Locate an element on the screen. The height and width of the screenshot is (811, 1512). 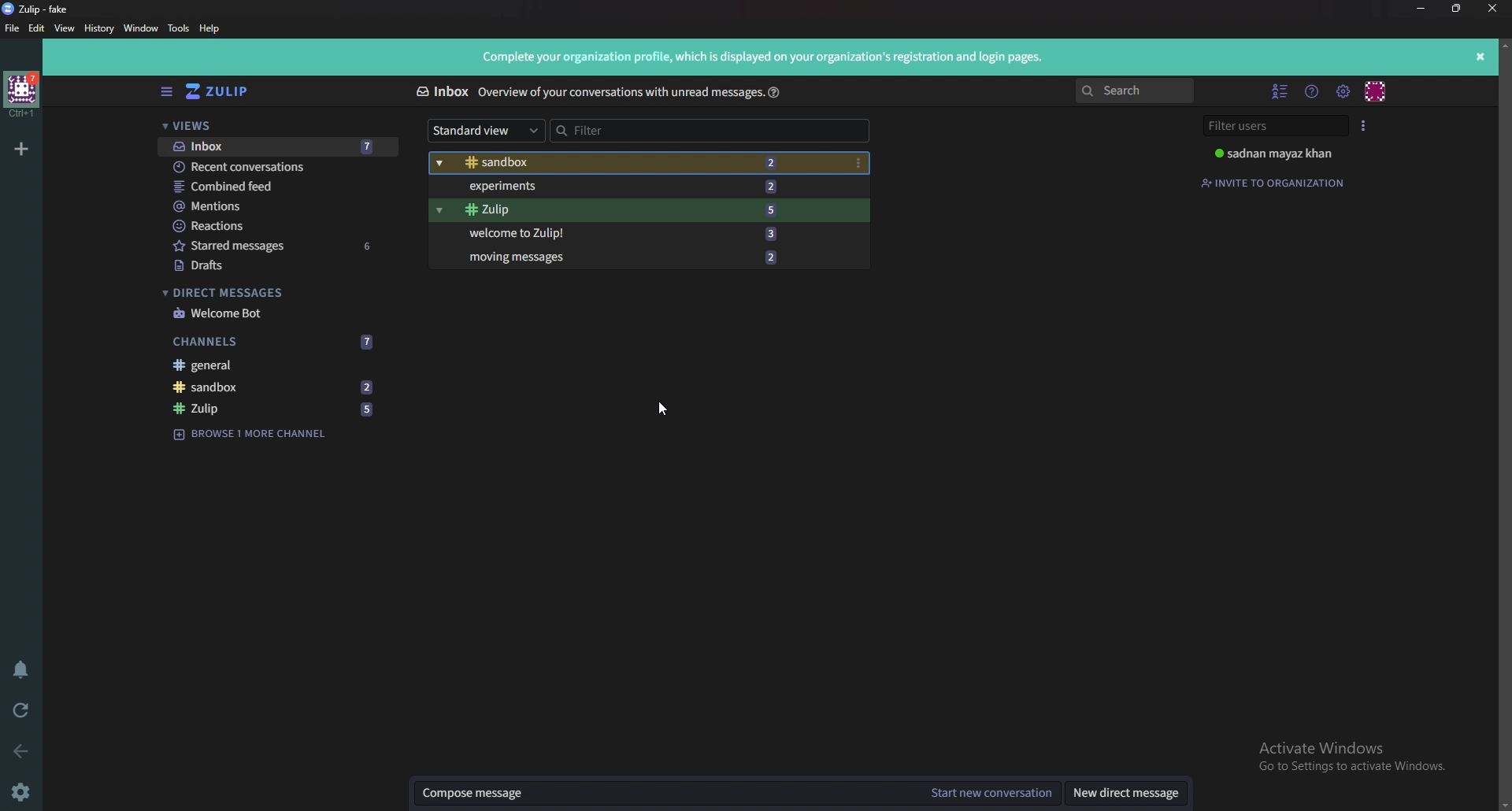
Moving messages is located at coordinates (629, 257).